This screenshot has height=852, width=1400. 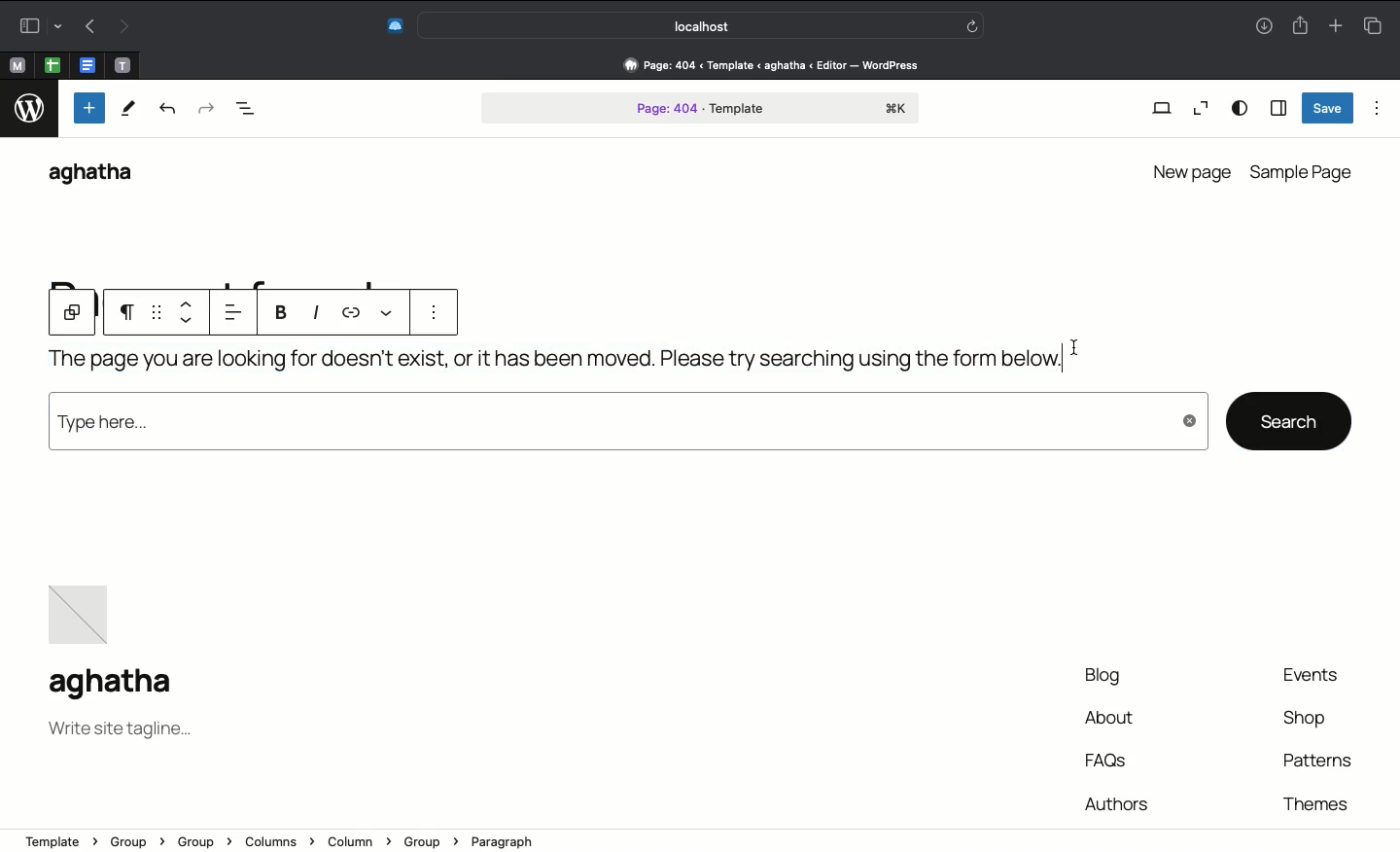 What do you see at coordinates (1335, 22) in the screenshot?
I see `Add new tab` at bounding box center [1335, 22].